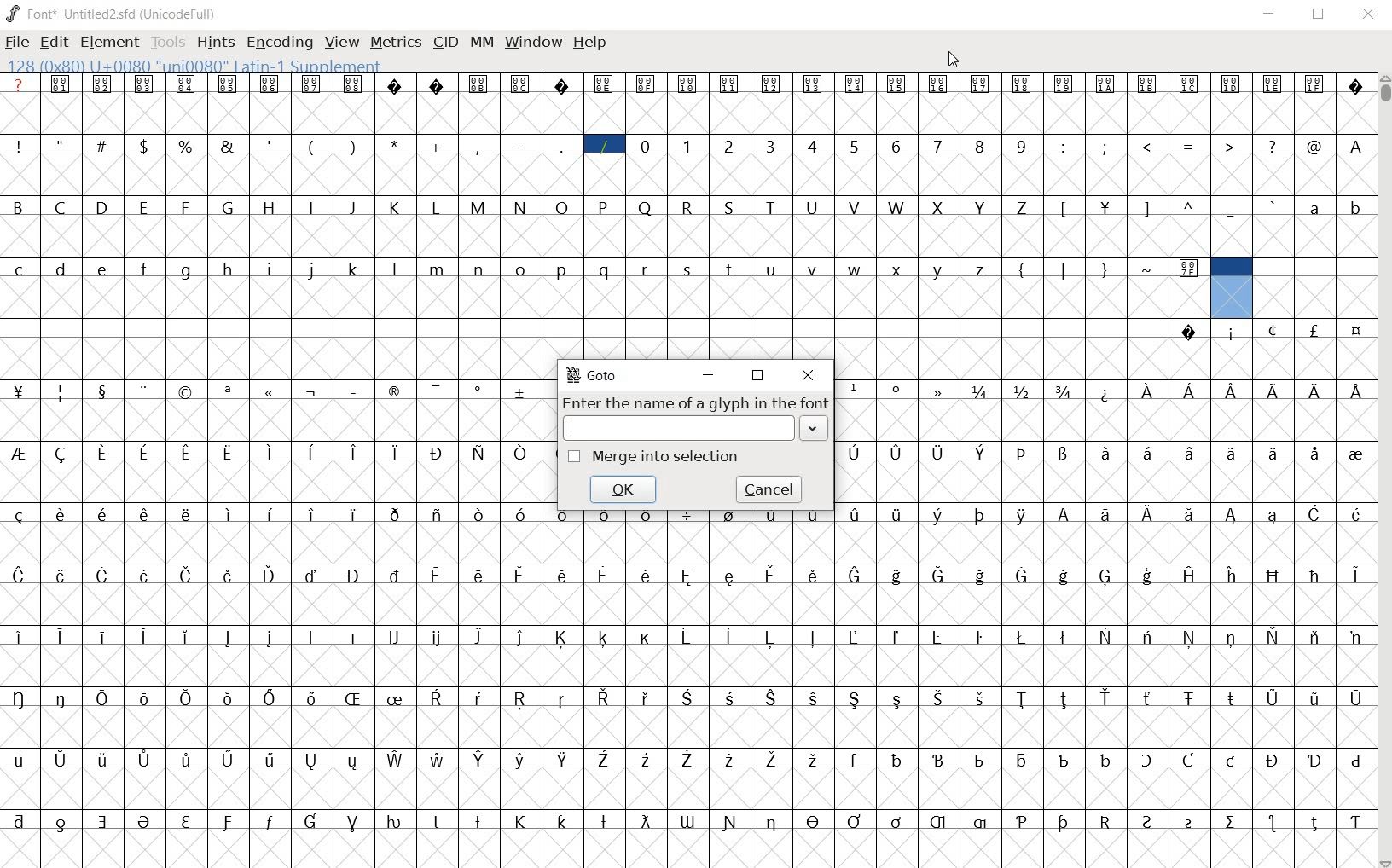  I want to click on Symbol, so click(564, 698).